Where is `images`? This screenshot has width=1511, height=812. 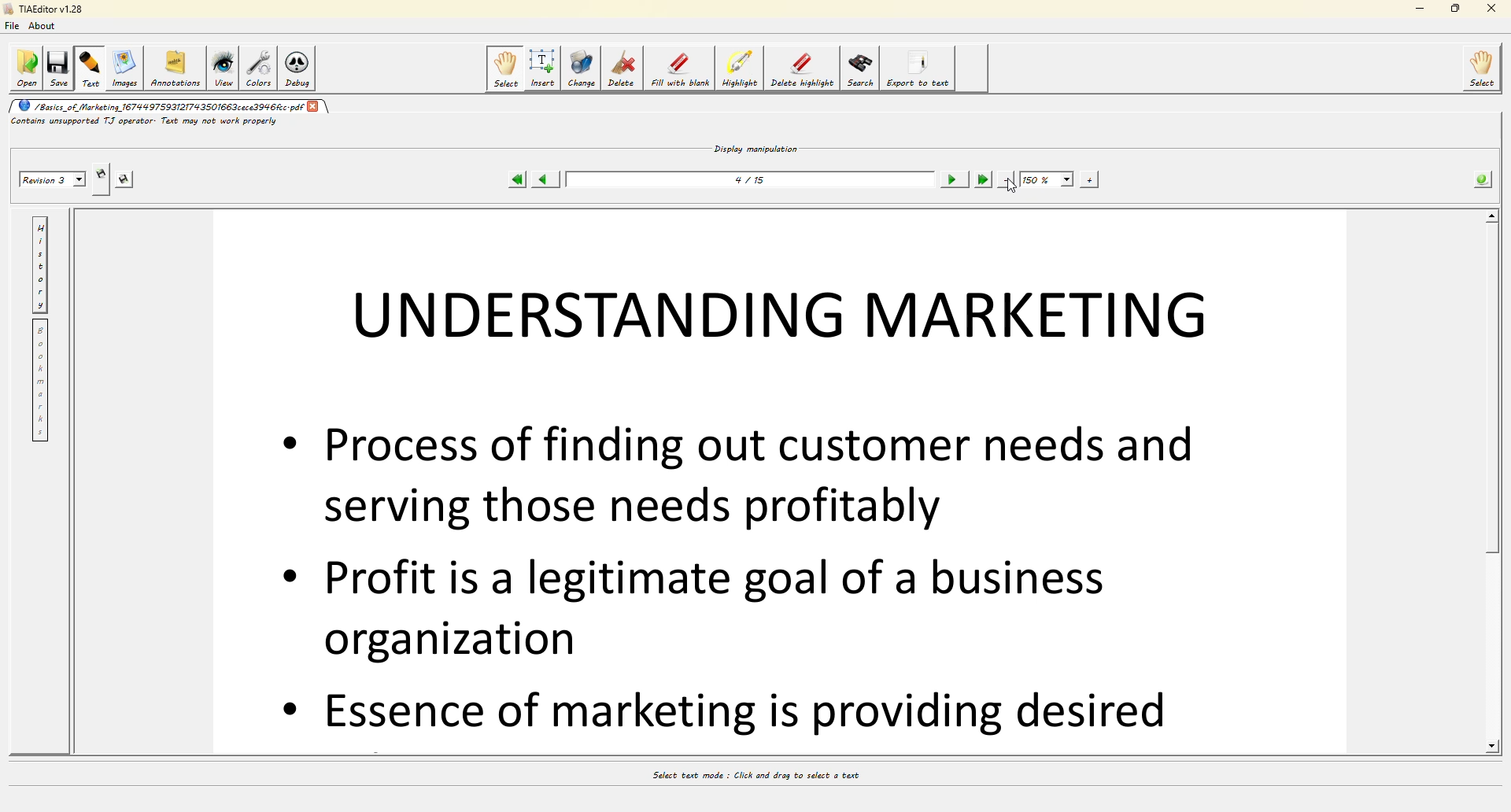
images is located at coordinates (125, 70).